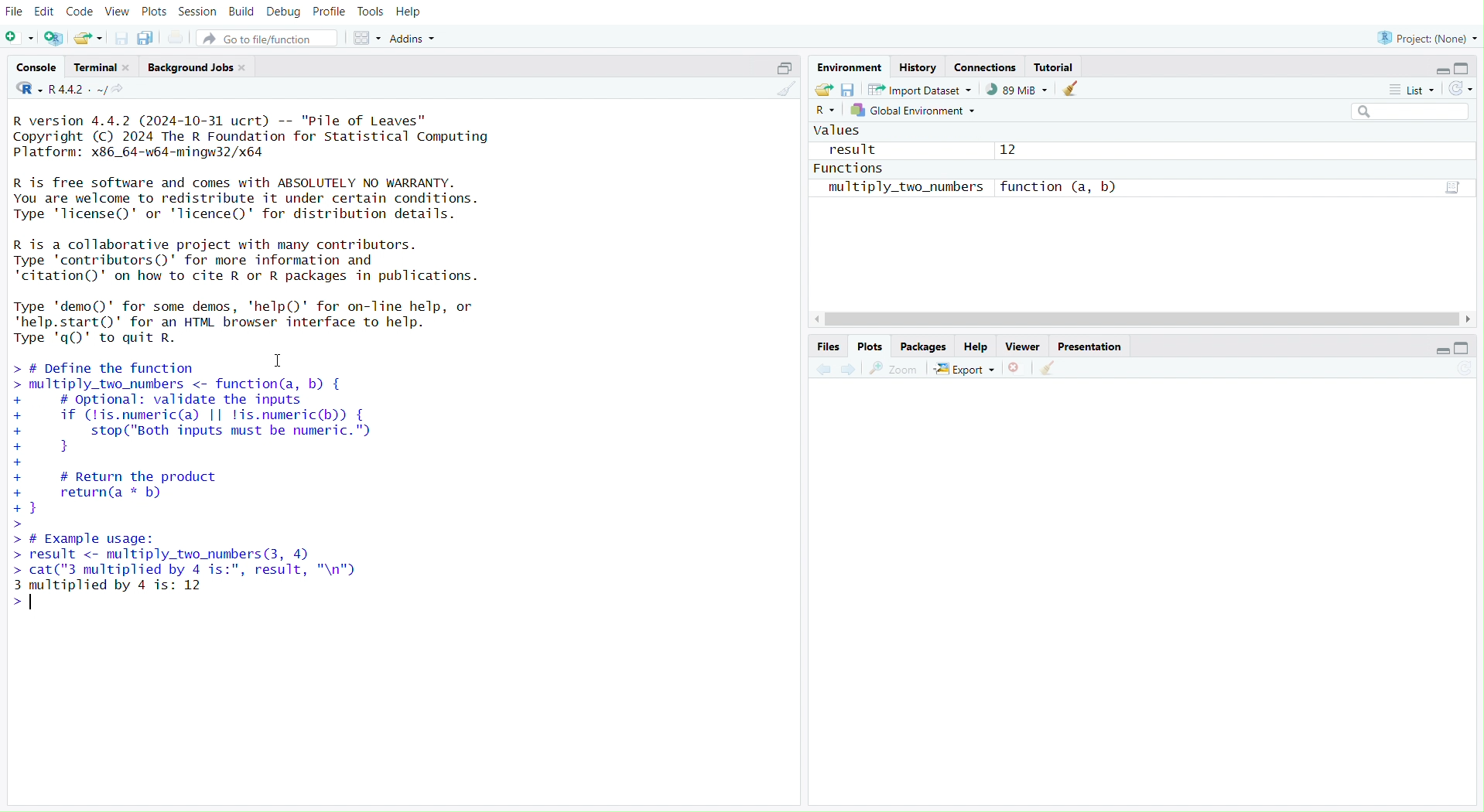 This screenshot has height=812, width=1484. What do you see at coordinates (1413, 113) in the screenshot?
I see `Search bar` at bounding box center [1413, 113].